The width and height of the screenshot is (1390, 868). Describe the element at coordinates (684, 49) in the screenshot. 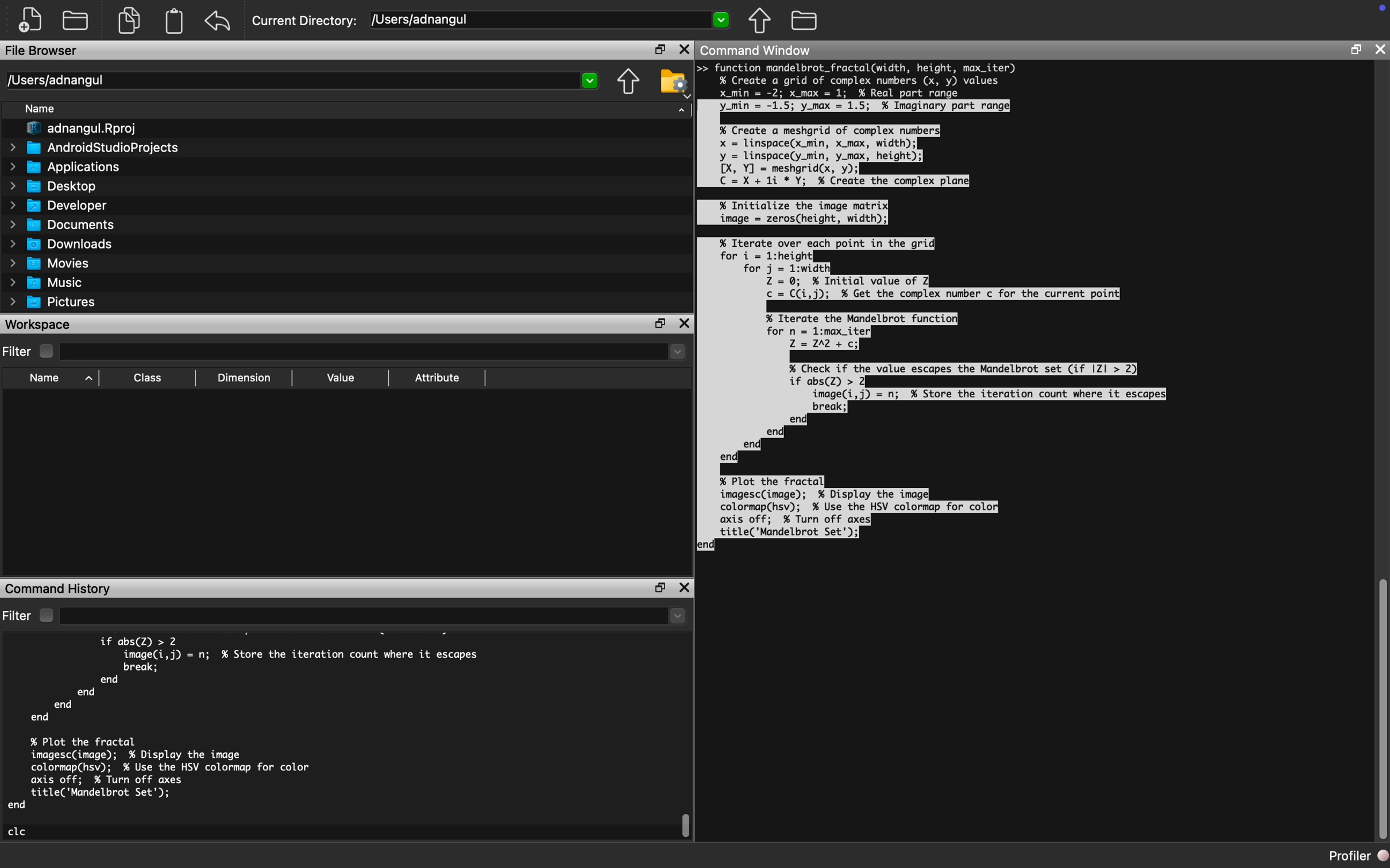

I see `Close` at that location.